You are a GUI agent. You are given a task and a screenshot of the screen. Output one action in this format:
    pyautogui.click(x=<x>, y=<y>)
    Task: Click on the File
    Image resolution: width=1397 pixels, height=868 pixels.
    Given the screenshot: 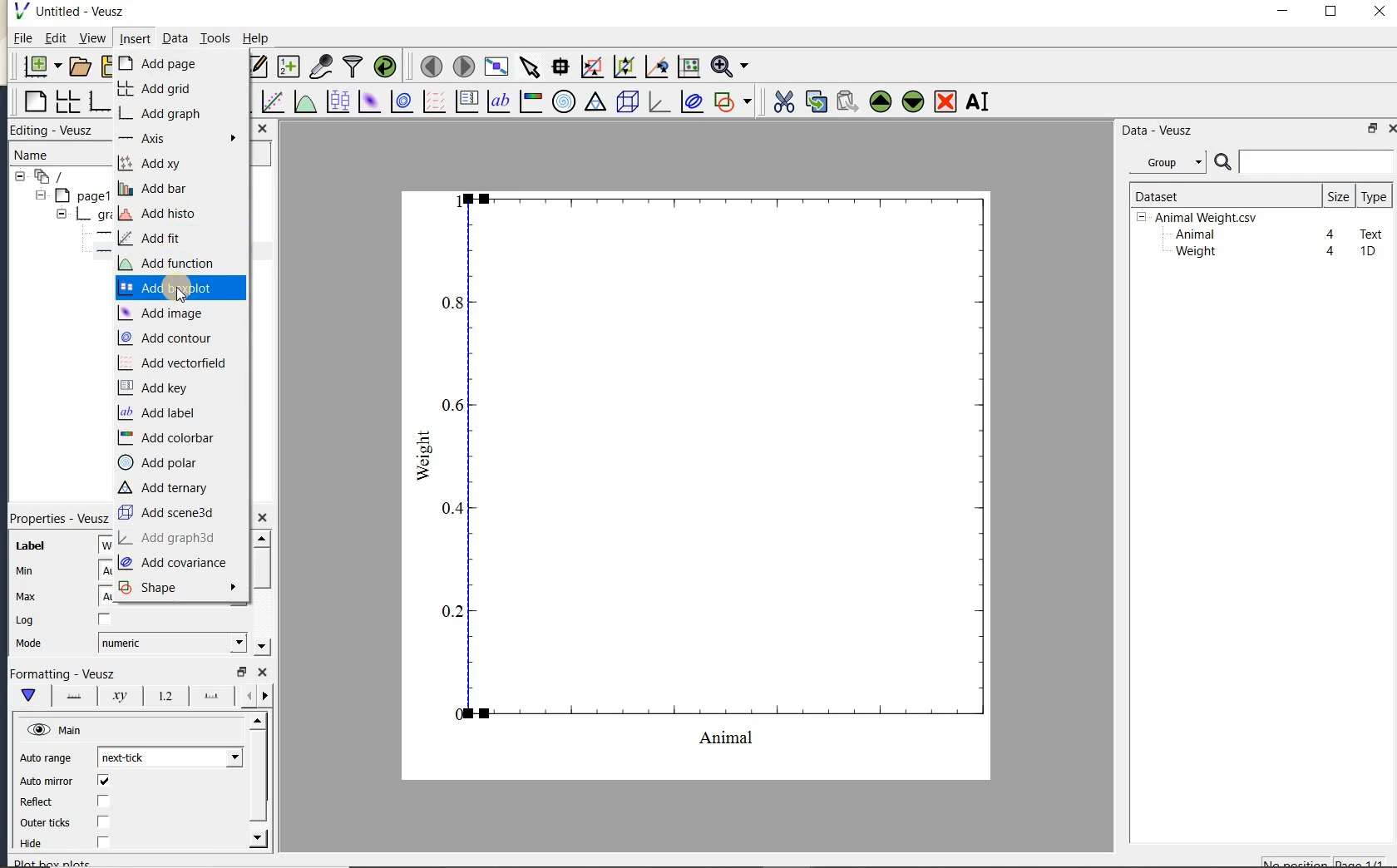 What is the action you would take?
    pyautogui.click(x=23, y=38)
    